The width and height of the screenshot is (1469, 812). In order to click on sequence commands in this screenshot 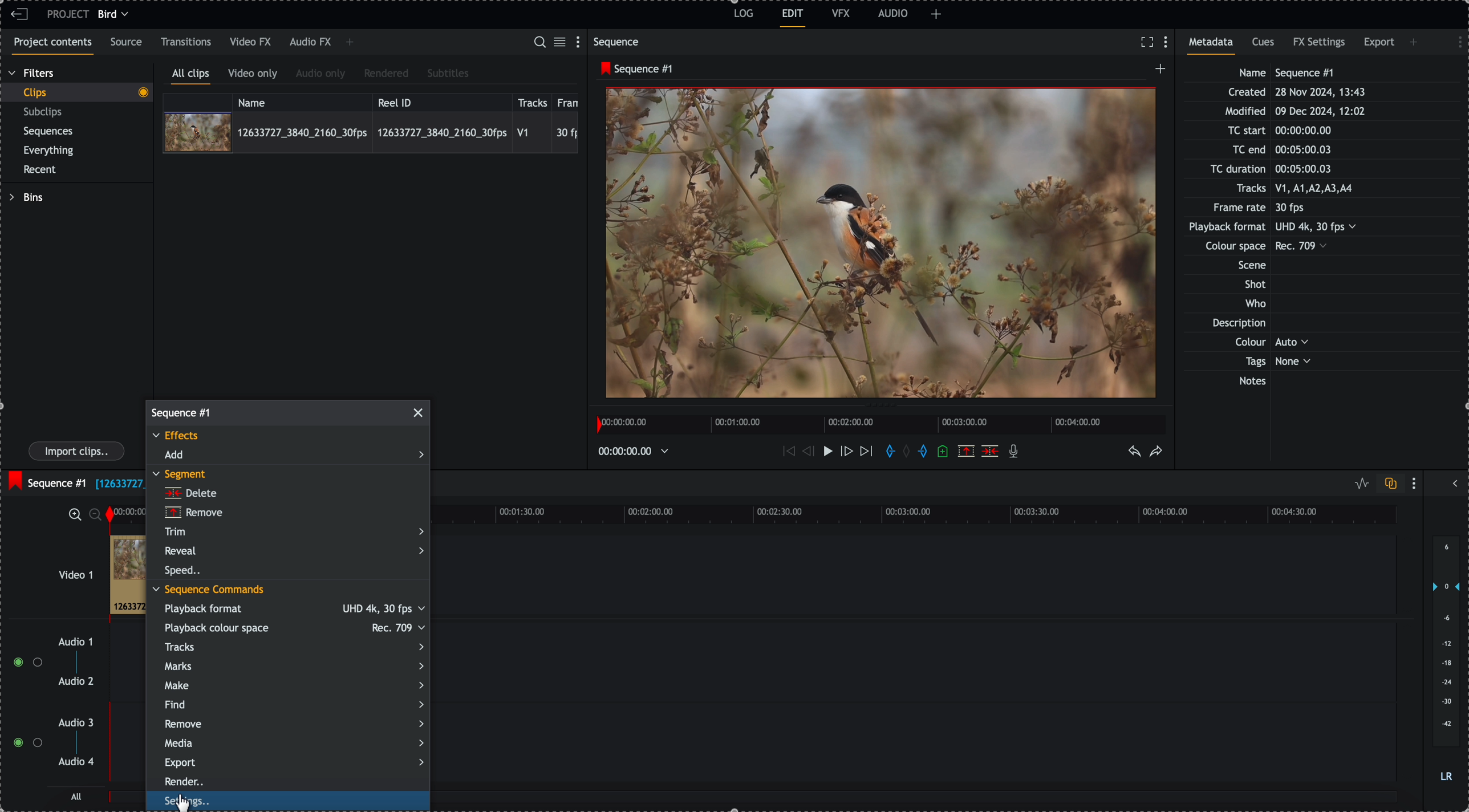, I will do `click(209, 591)`.